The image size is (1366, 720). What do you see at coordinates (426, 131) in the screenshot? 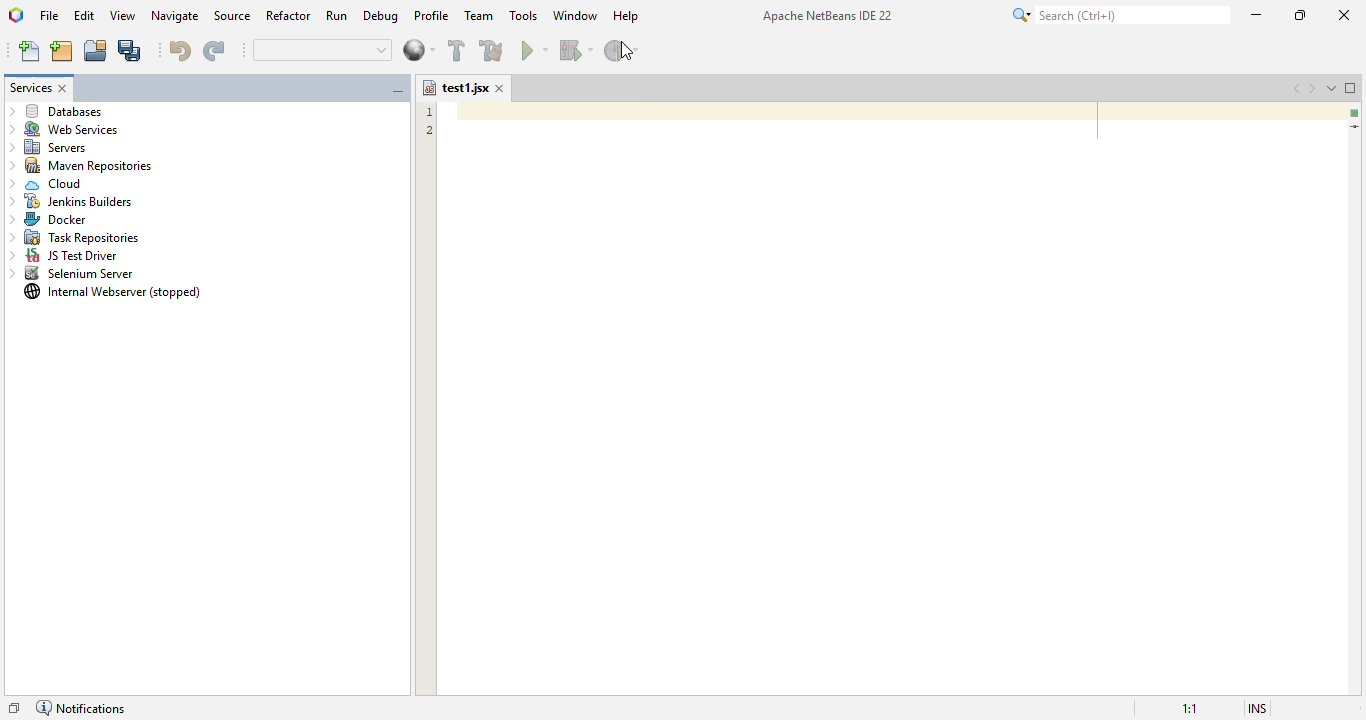
I see `2` at bounding box center [426, 131].